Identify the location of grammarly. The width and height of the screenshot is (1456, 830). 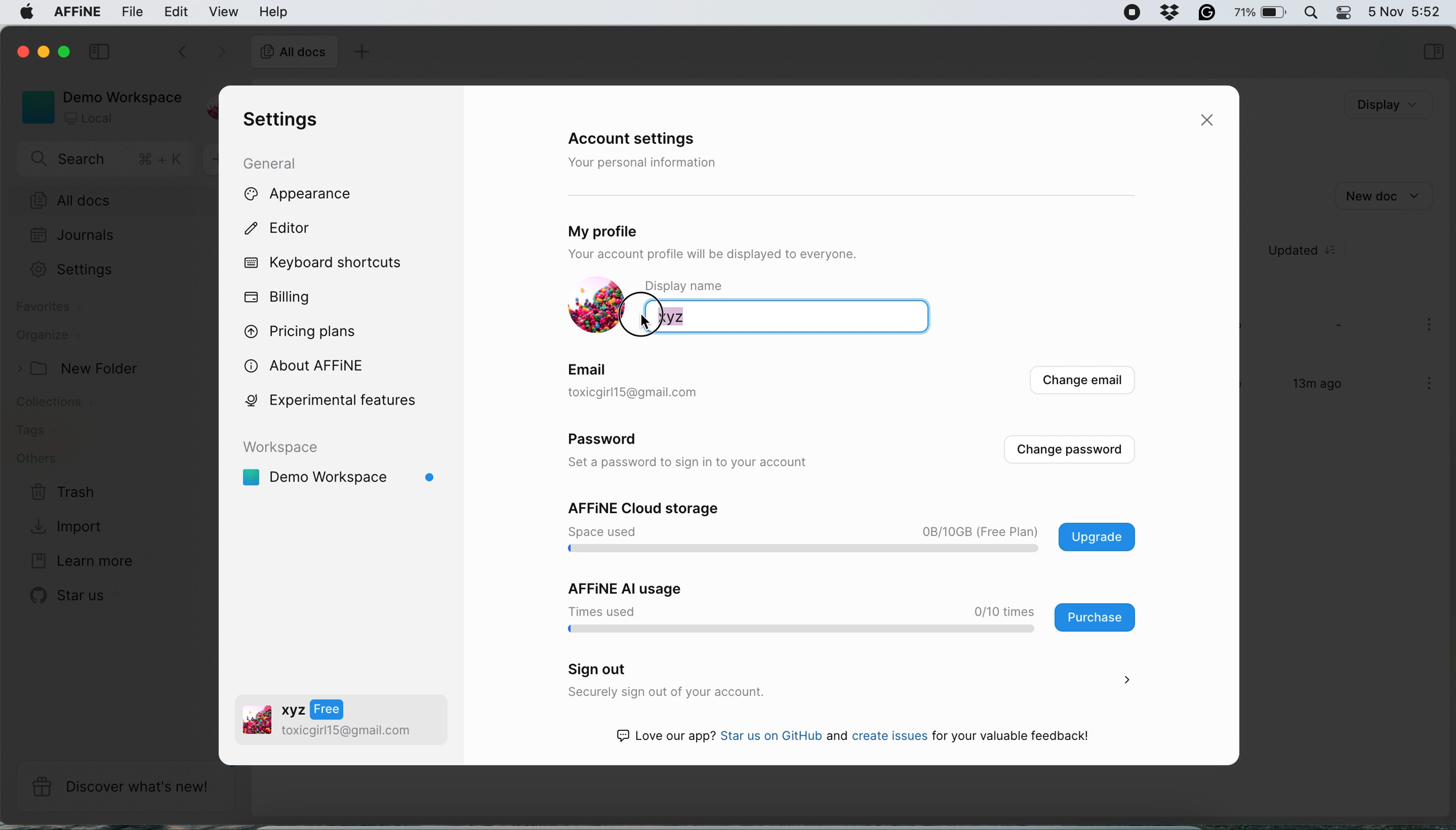
(1204, 11).